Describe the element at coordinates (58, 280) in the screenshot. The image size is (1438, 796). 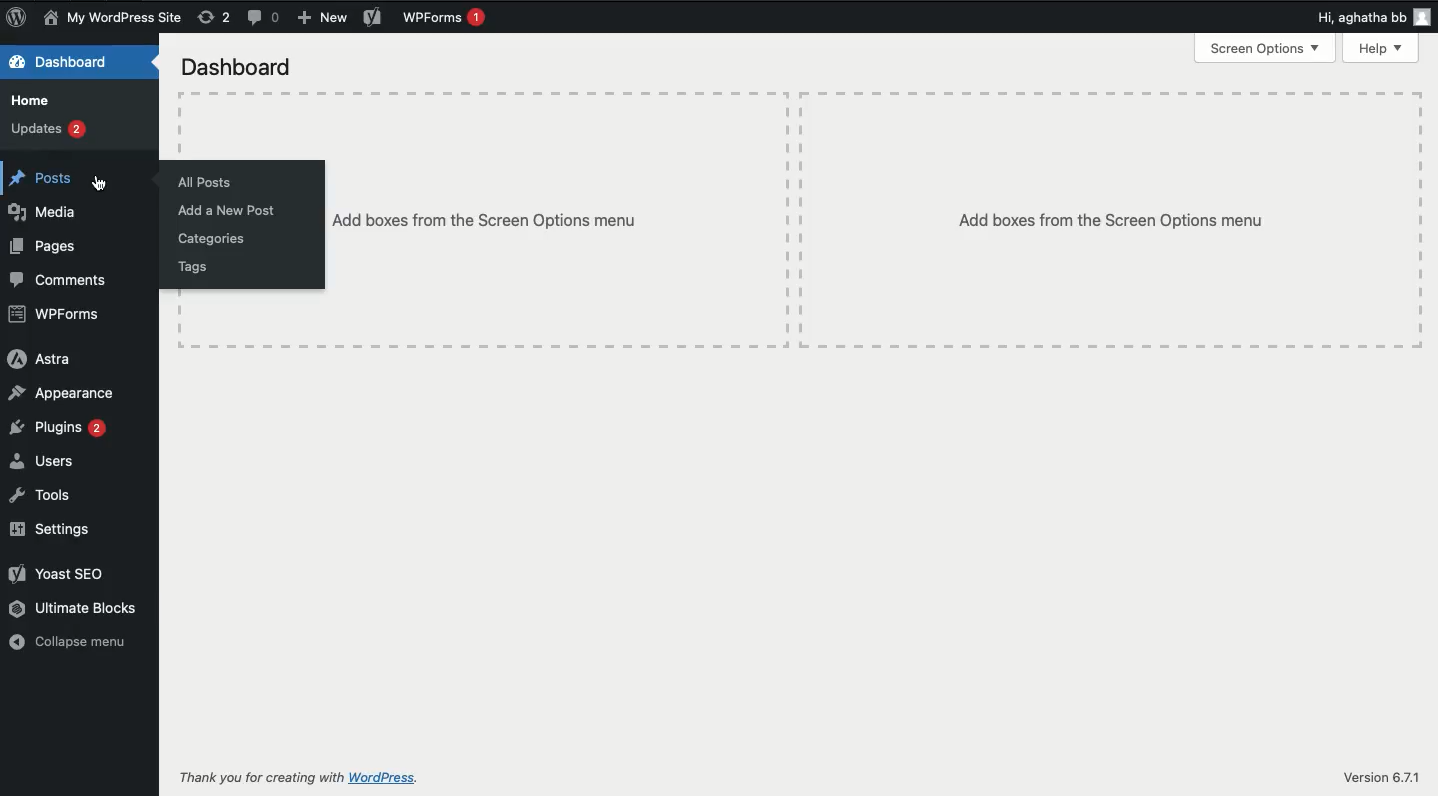
I see `Comments` at that location.